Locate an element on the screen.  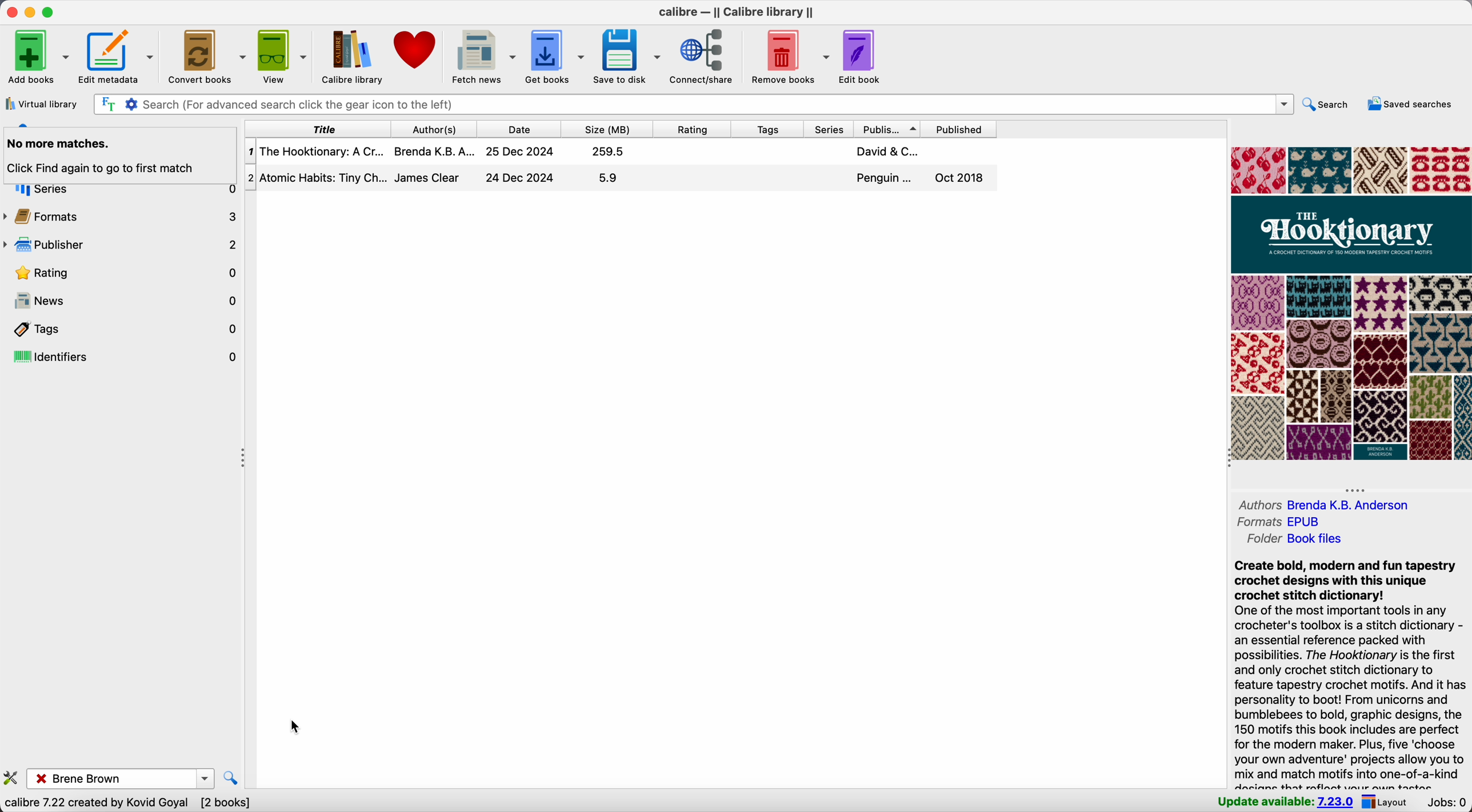
saved searches is located at coordinates (1411, 104).